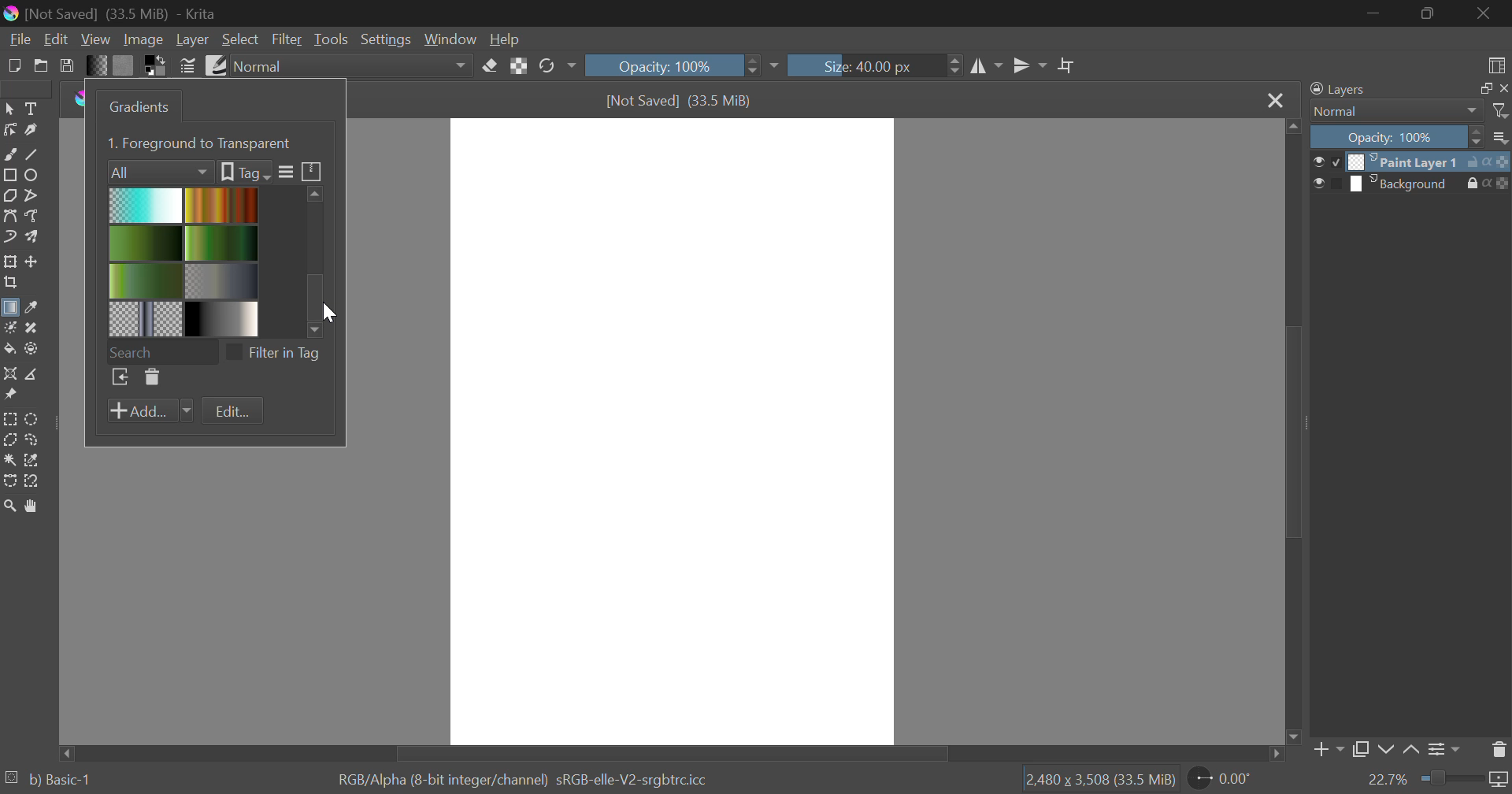  What do you see at coordinates (1229, 777) in the screenshot?
I see `0.00°` at bounding box center [1229, 777].